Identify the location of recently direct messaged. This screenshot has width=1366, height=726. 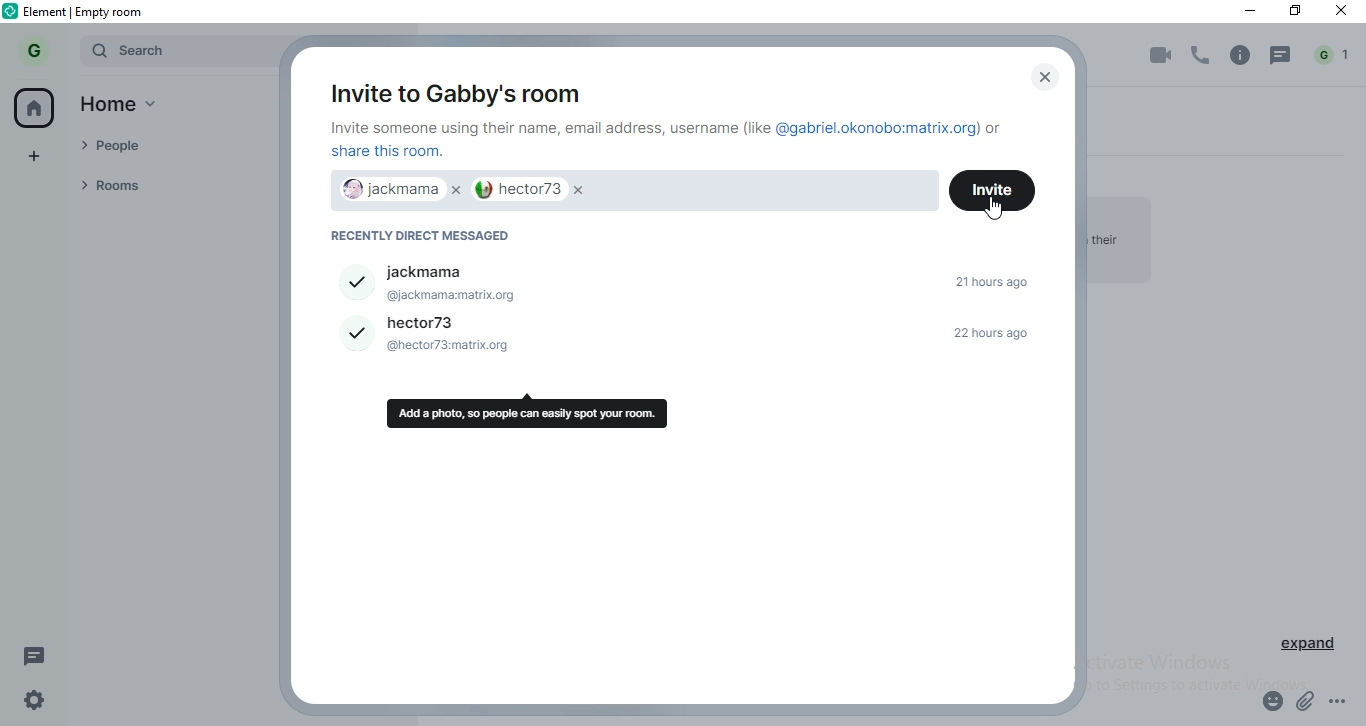
(430, 236).